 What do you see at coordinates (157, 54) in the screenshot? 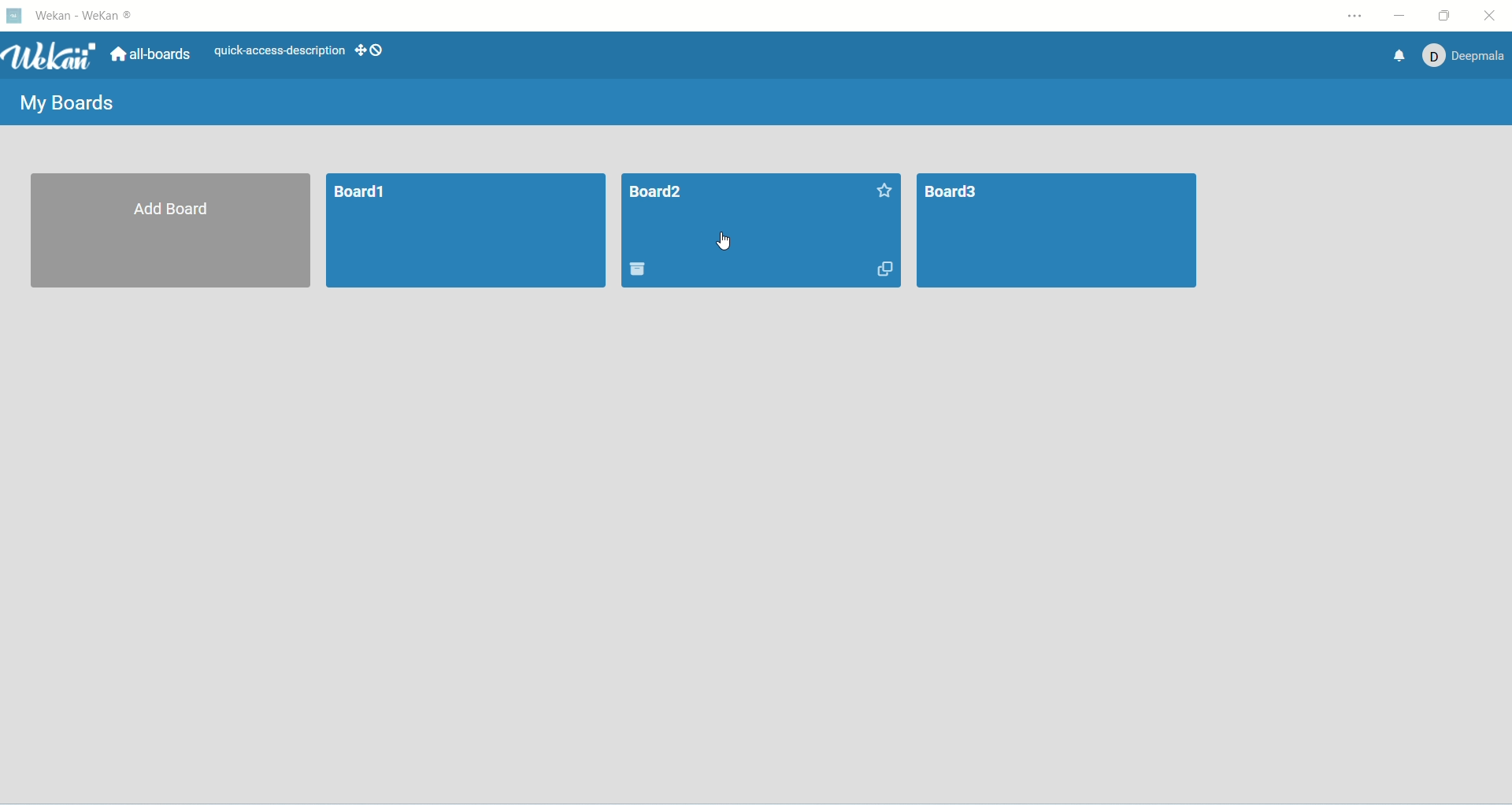
I see `all boards` at bounding box center [157, 54].